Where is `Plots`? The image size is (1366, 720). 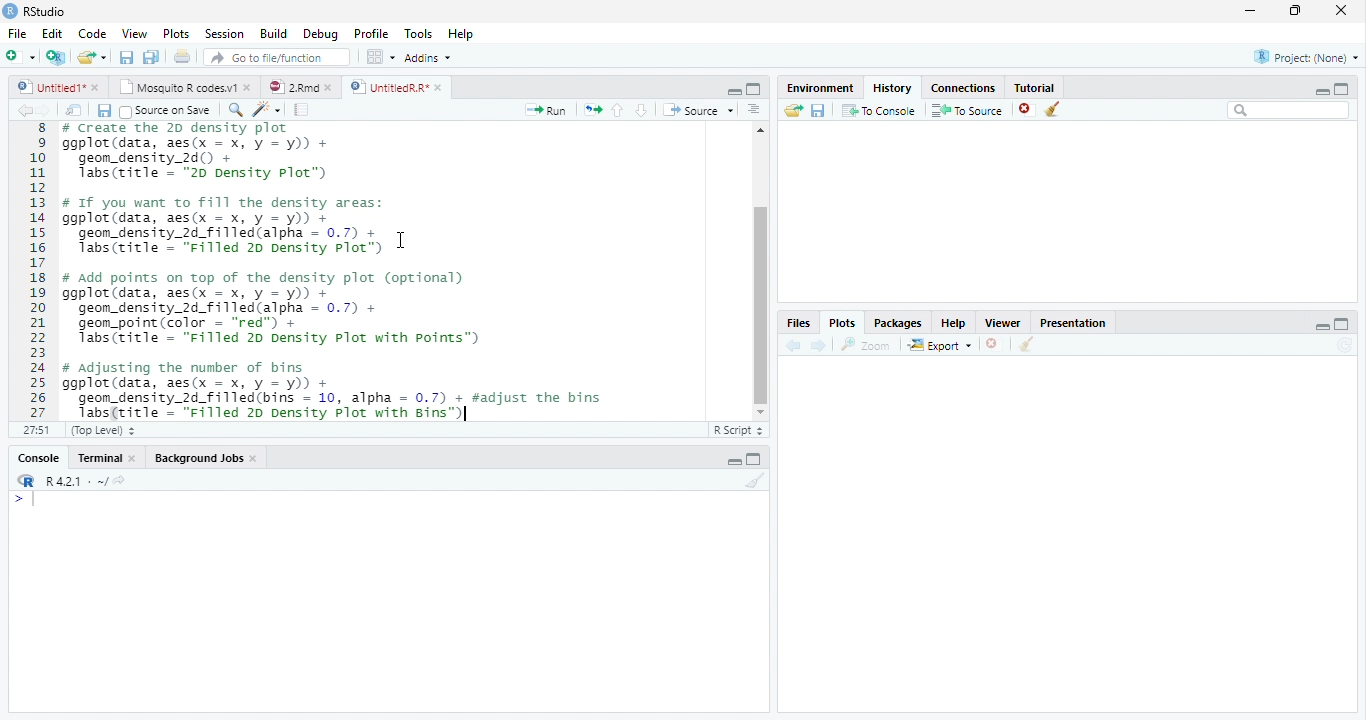
Plots is located at coordinates (175, 33).